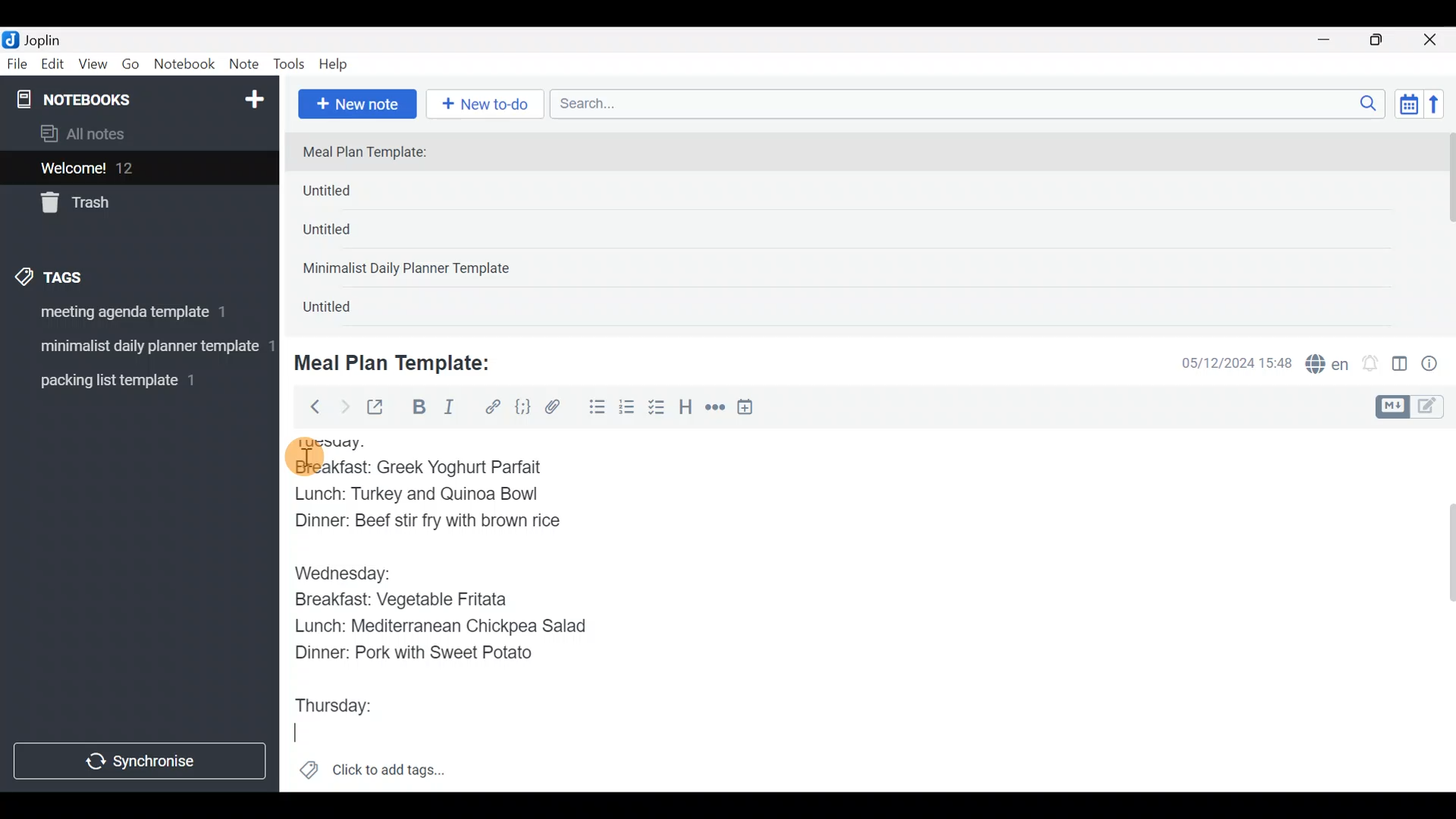  Describe the element at coordinates (488, 105) in the screenshot. I see `New to-do` at that location.